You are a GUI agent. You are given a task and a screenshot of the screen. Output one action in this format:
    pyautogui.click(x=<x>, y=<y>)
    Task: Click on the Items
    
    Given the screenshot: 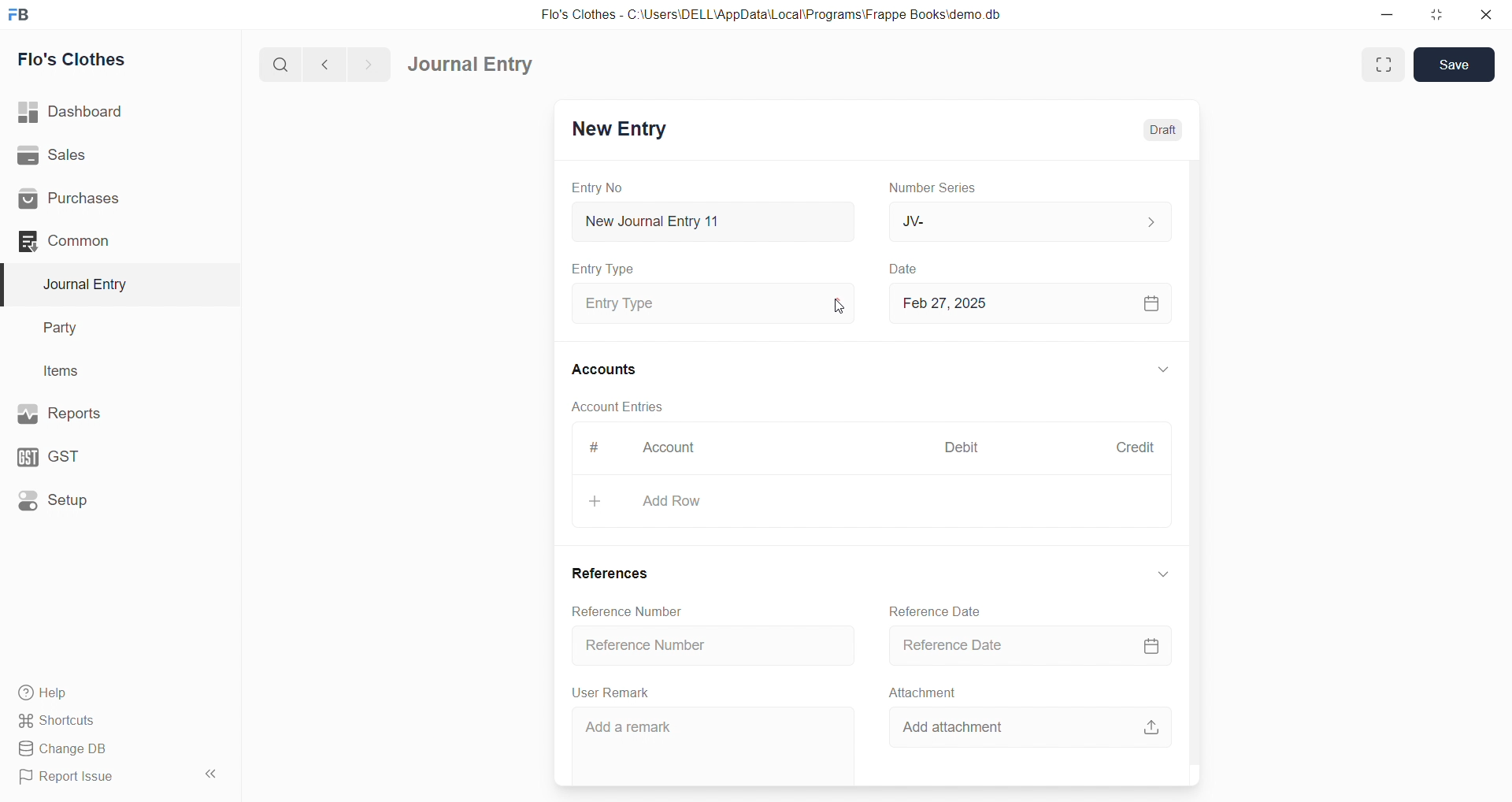 What is the action you would take?
    pyautogui.click(x=67, y=370)
    